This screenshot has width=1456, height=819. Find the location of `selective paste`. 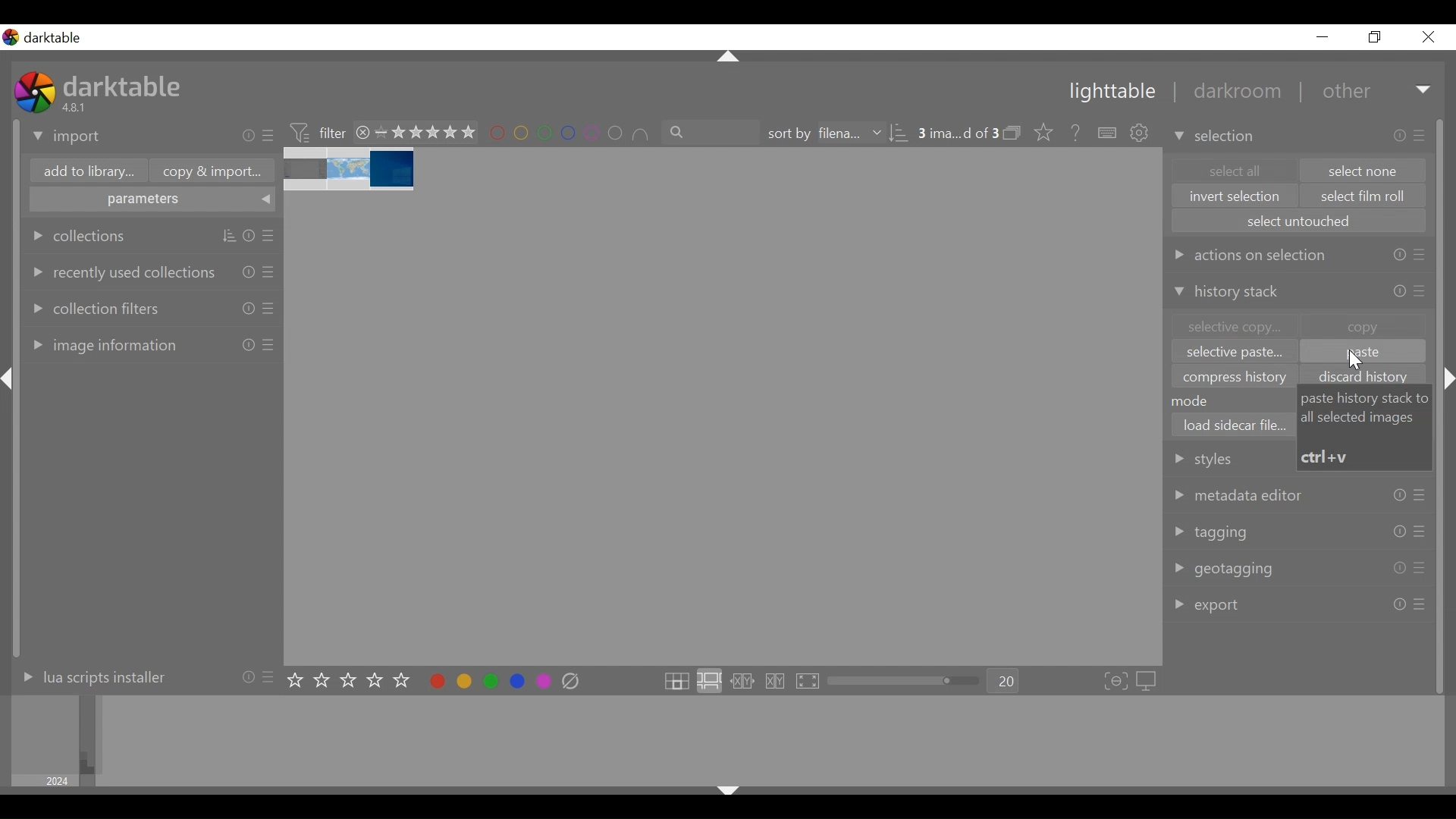

selective paste is located at coordinates (1235, 354).